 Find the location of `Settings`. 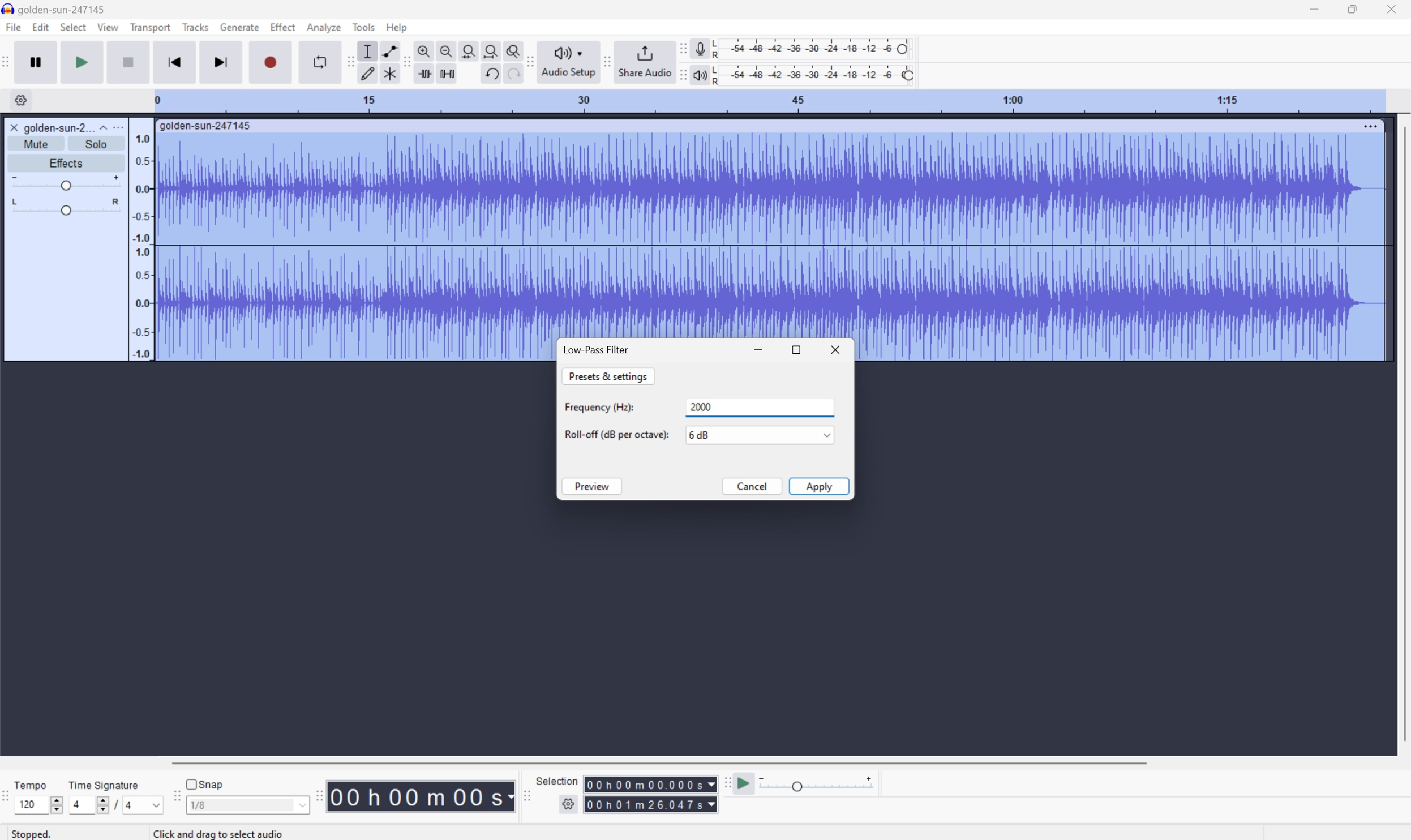

Settings is located at coordinates (19, 100).